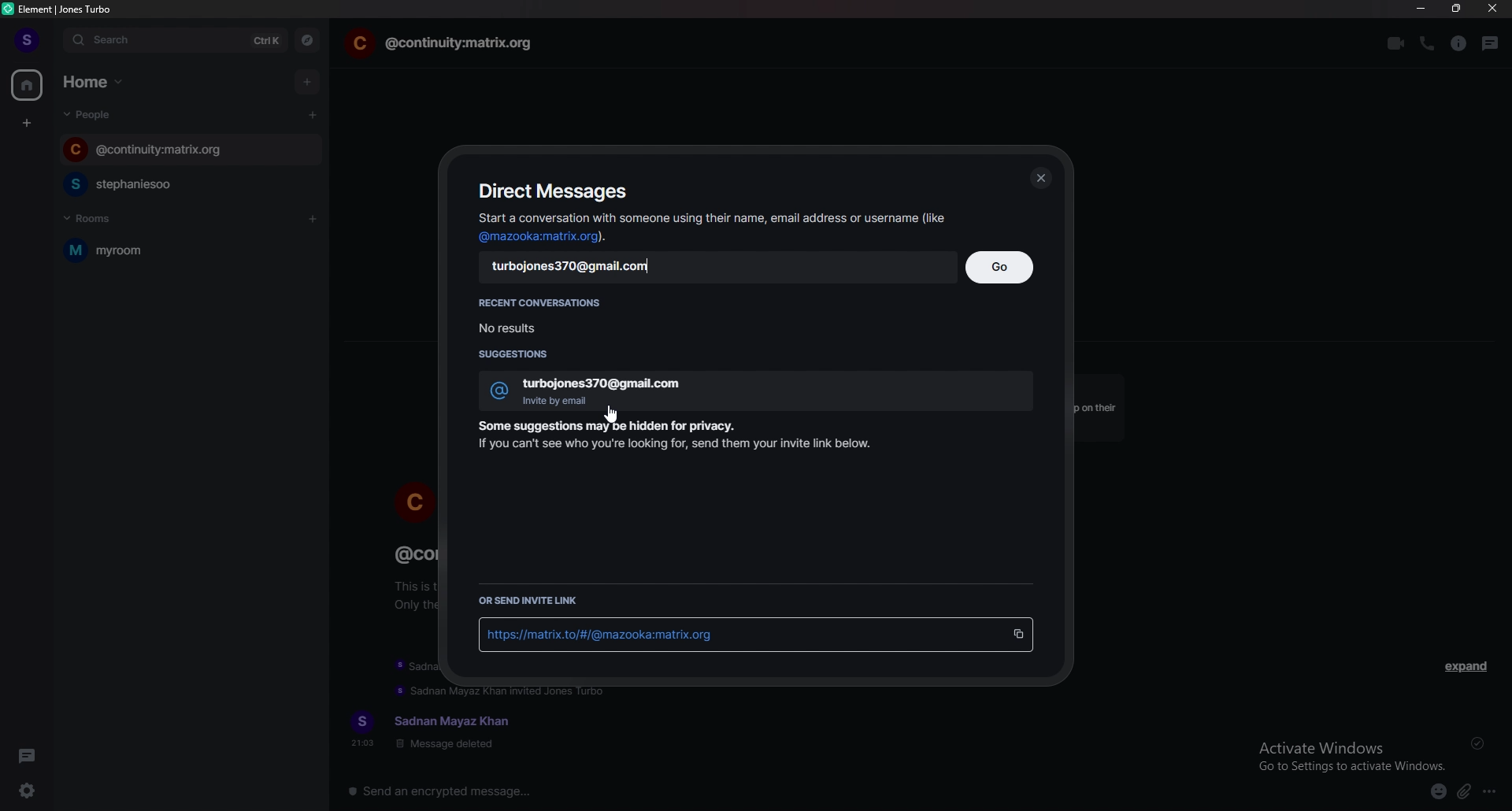  I want to click on explore rooms, so click(308, 40).